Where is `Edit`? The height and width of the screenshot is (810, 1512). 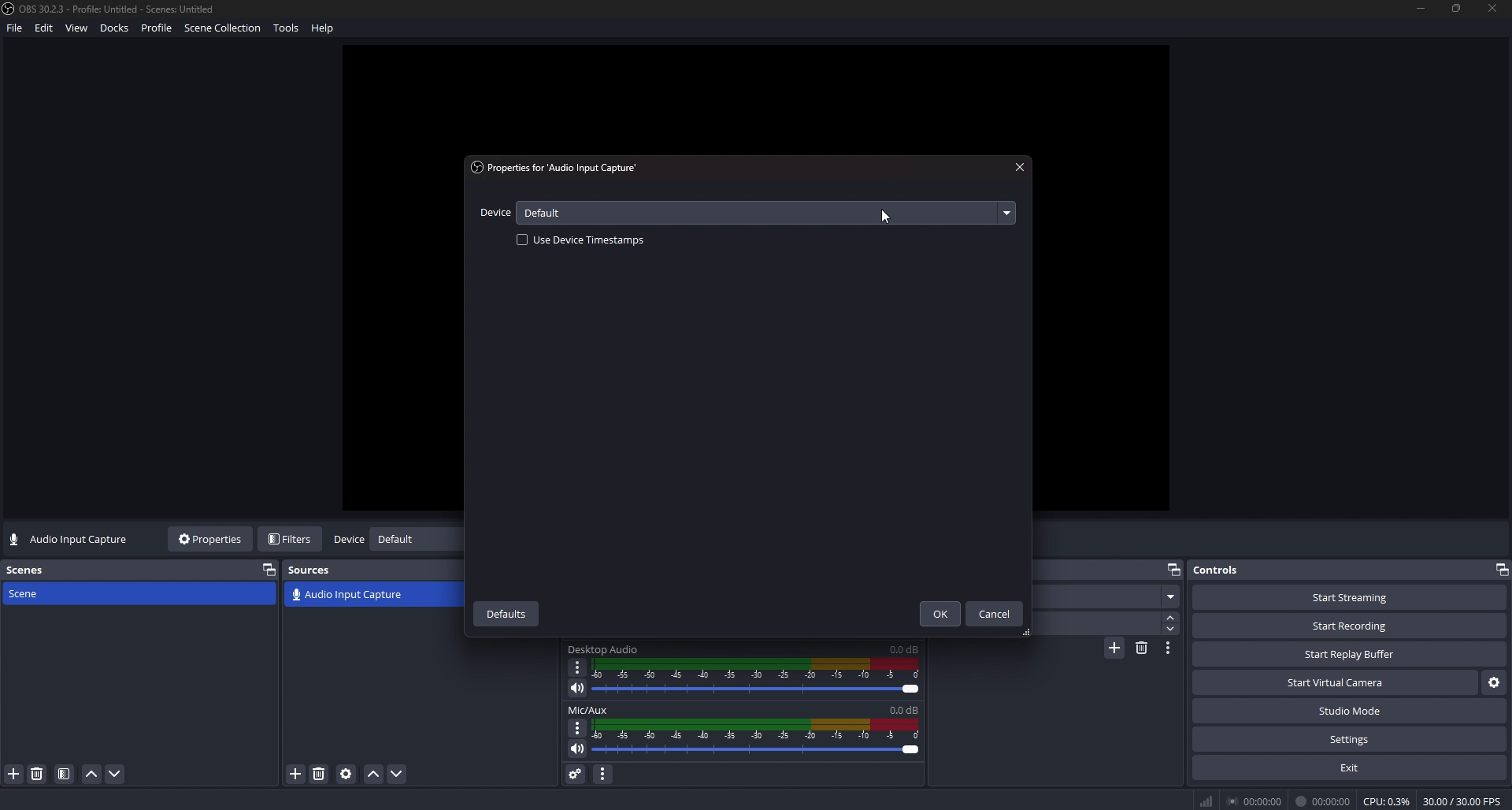 Edit is located at coordinates (45, 31).